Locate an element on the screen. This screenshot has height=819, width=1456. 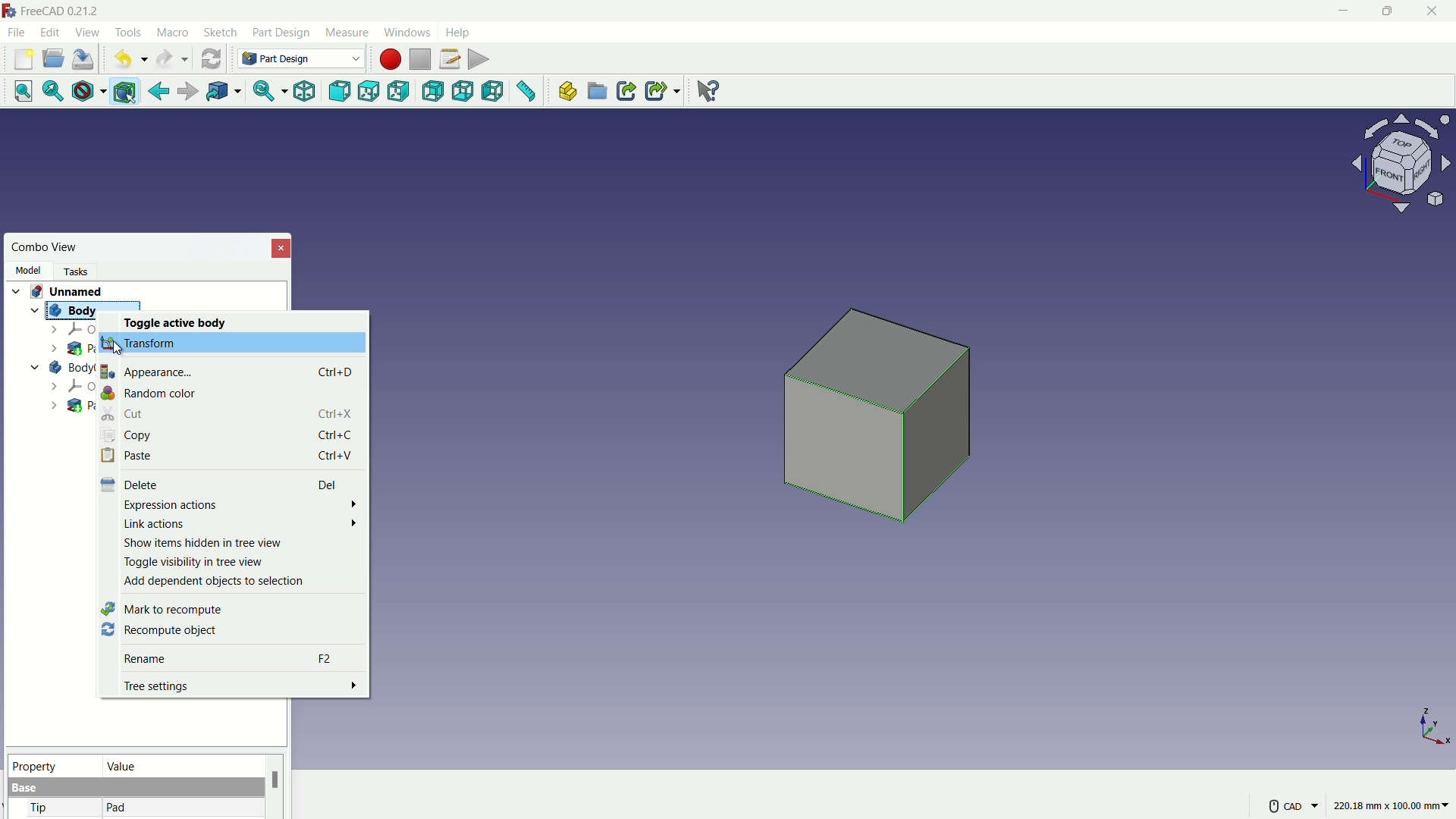
sync view is located at coordinates (263, 93).